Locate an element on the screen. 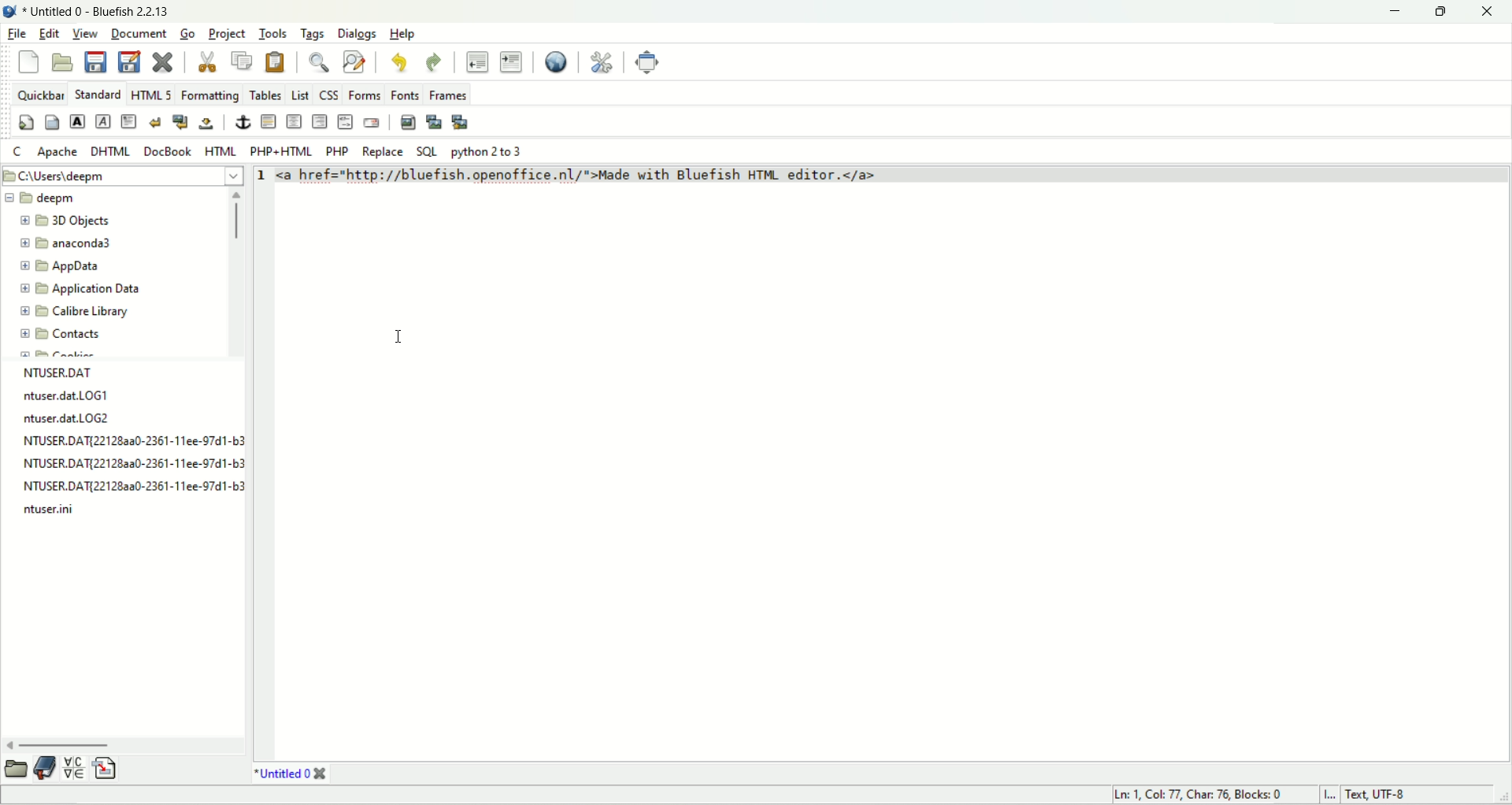  open file is located at coordinates (67, 61).